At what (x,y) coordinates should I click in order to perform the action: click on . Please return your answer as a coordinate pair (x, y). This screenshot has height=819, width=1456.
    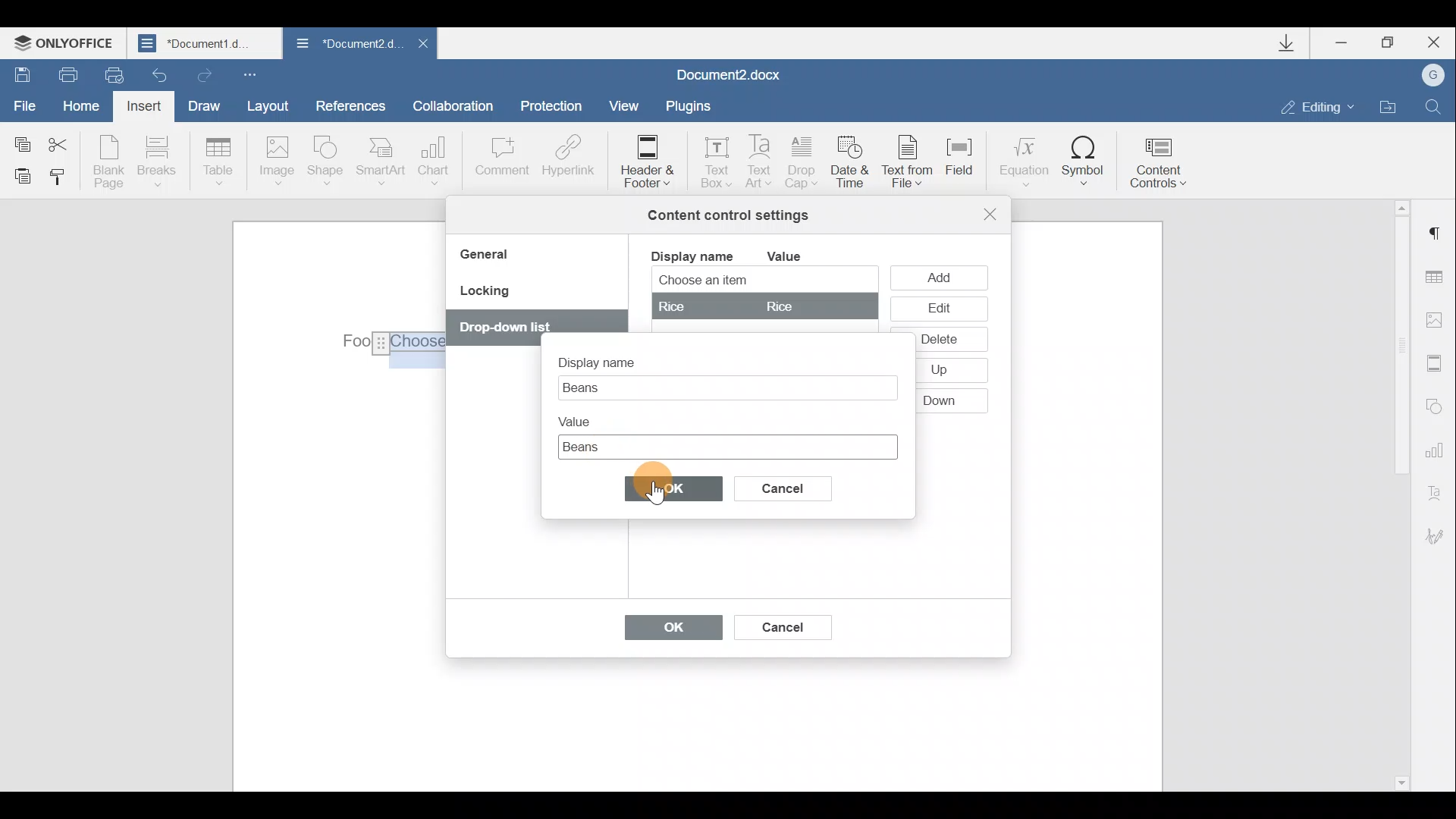
    Looking at the image, I should click on (504, 327).